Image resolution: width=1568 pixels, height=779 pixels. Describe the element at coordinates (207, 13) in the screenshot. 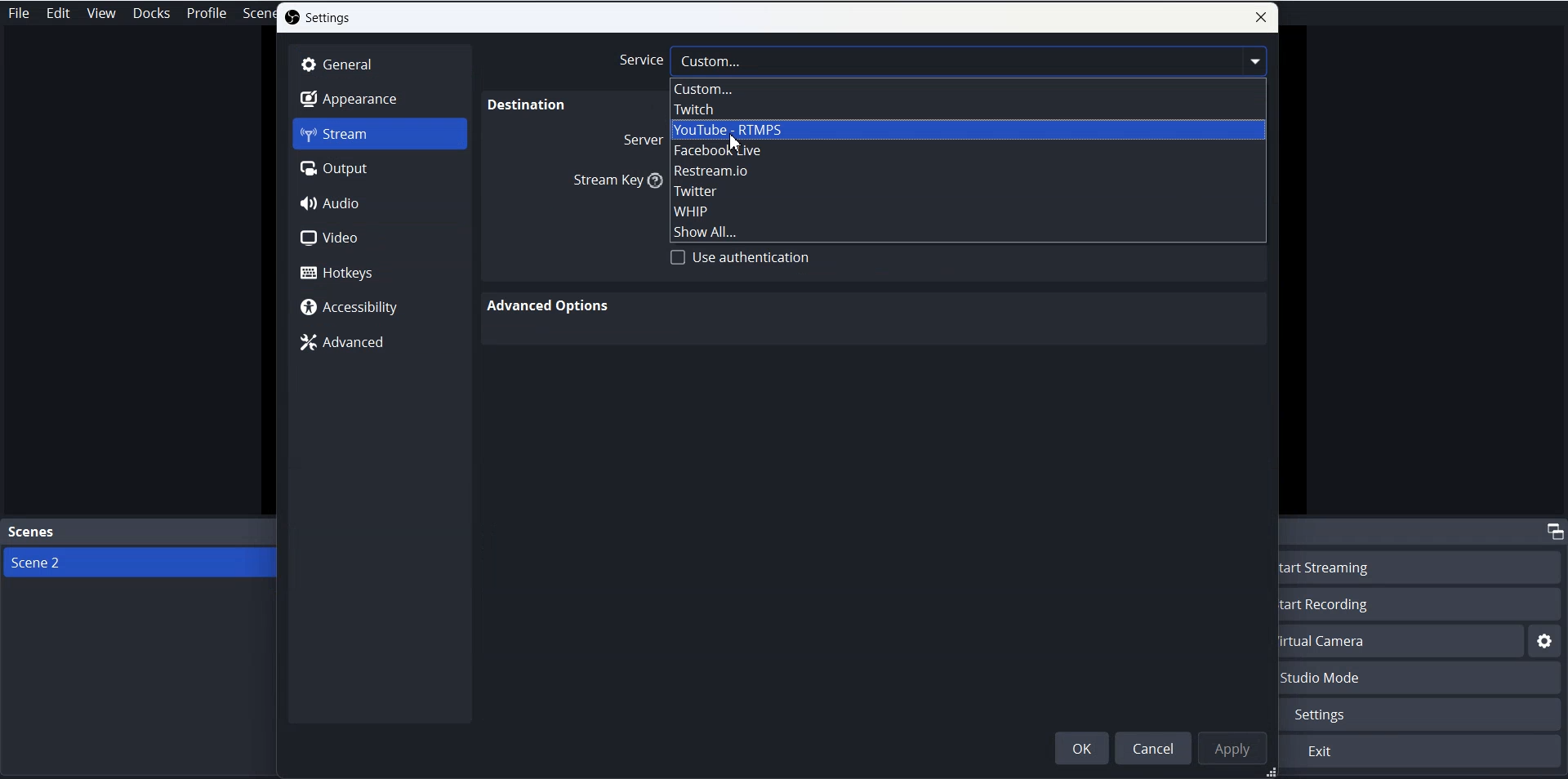

I see `Profile` at that location.